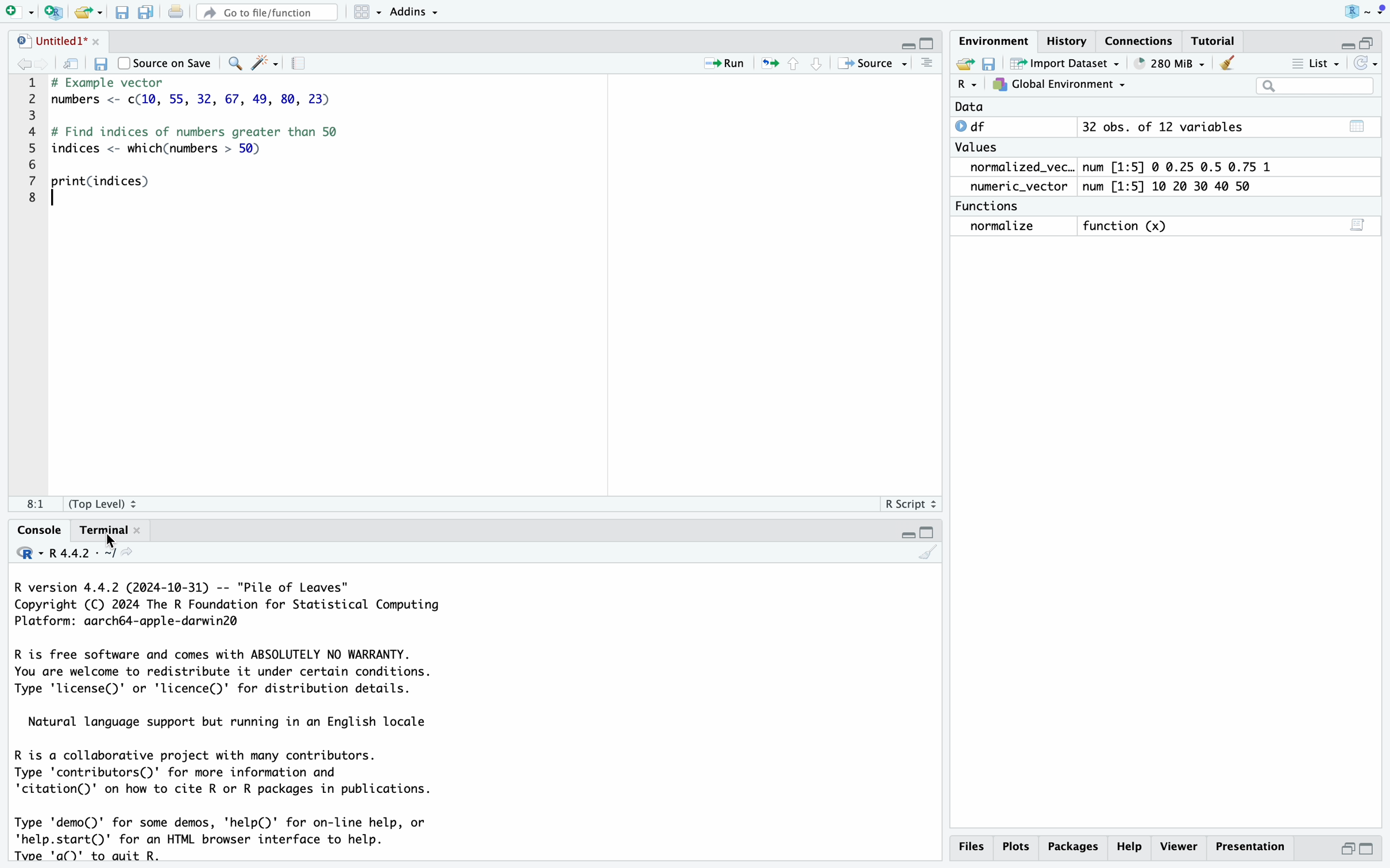  What do you see at coordinates (1076, 844) in the screenshot?
I see `packages` at bounding box center [1076, 844].